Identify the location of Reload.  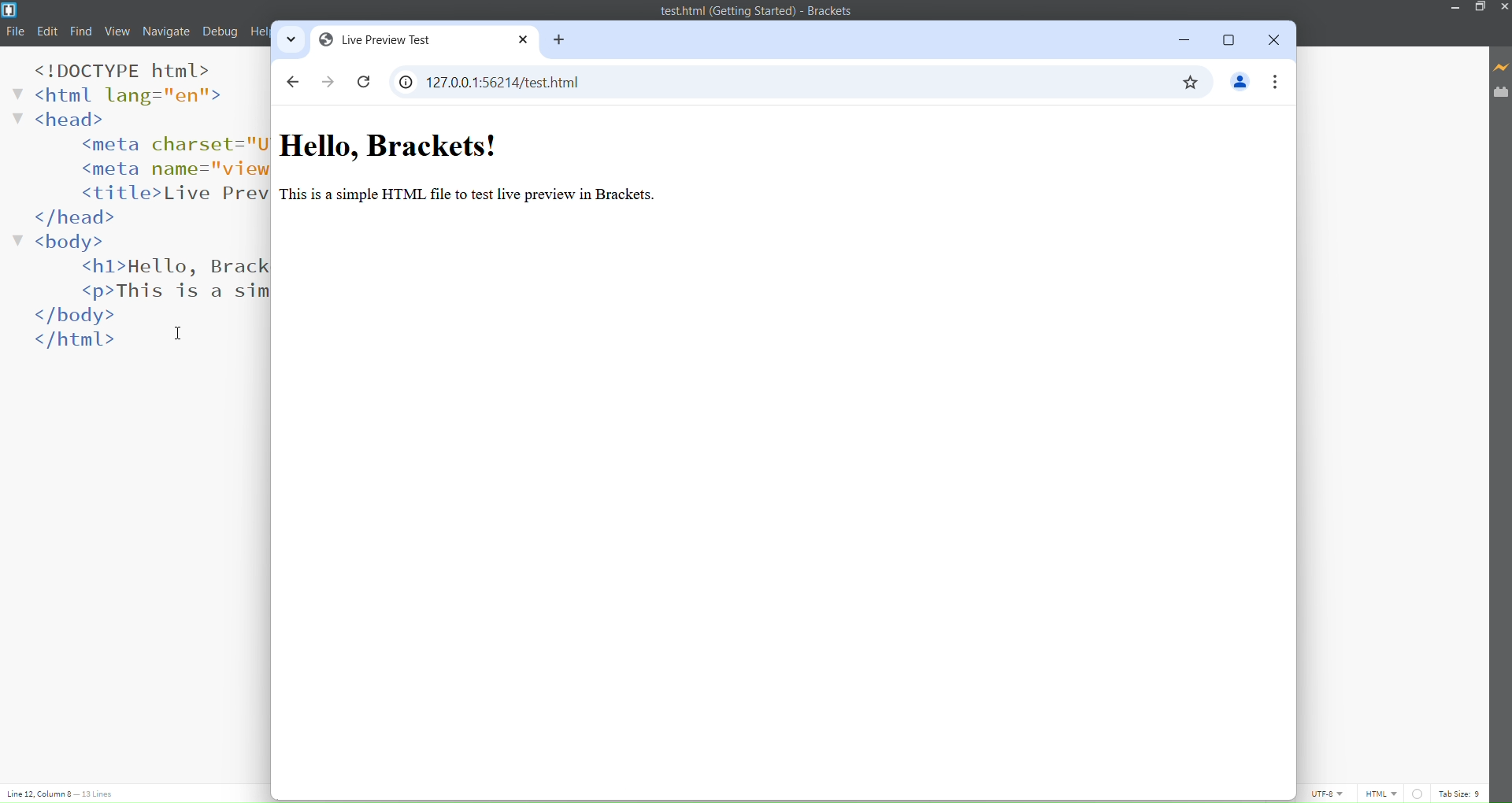
(365, 86).